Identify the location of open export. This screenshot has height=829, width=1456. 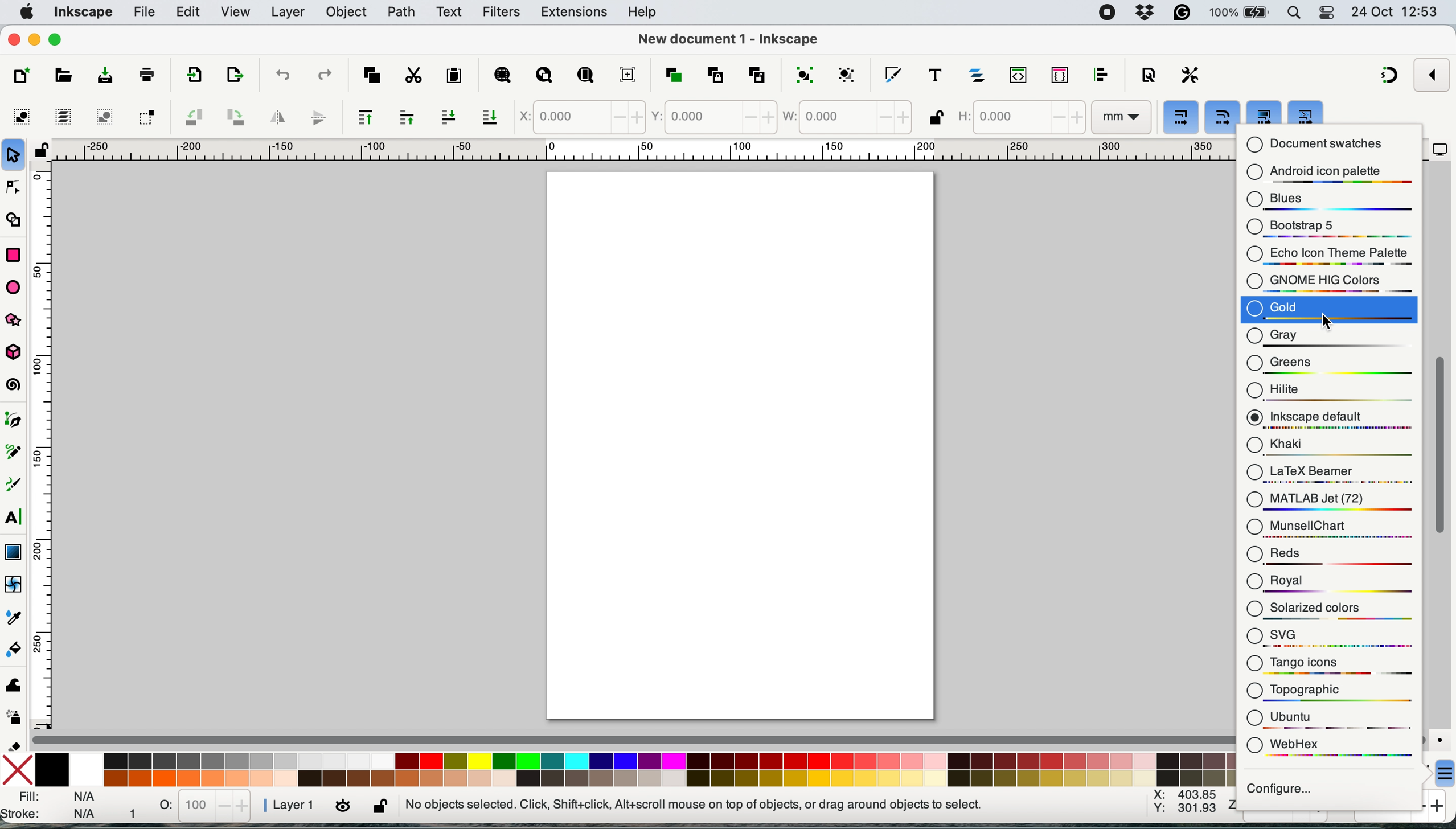
(233, 75).